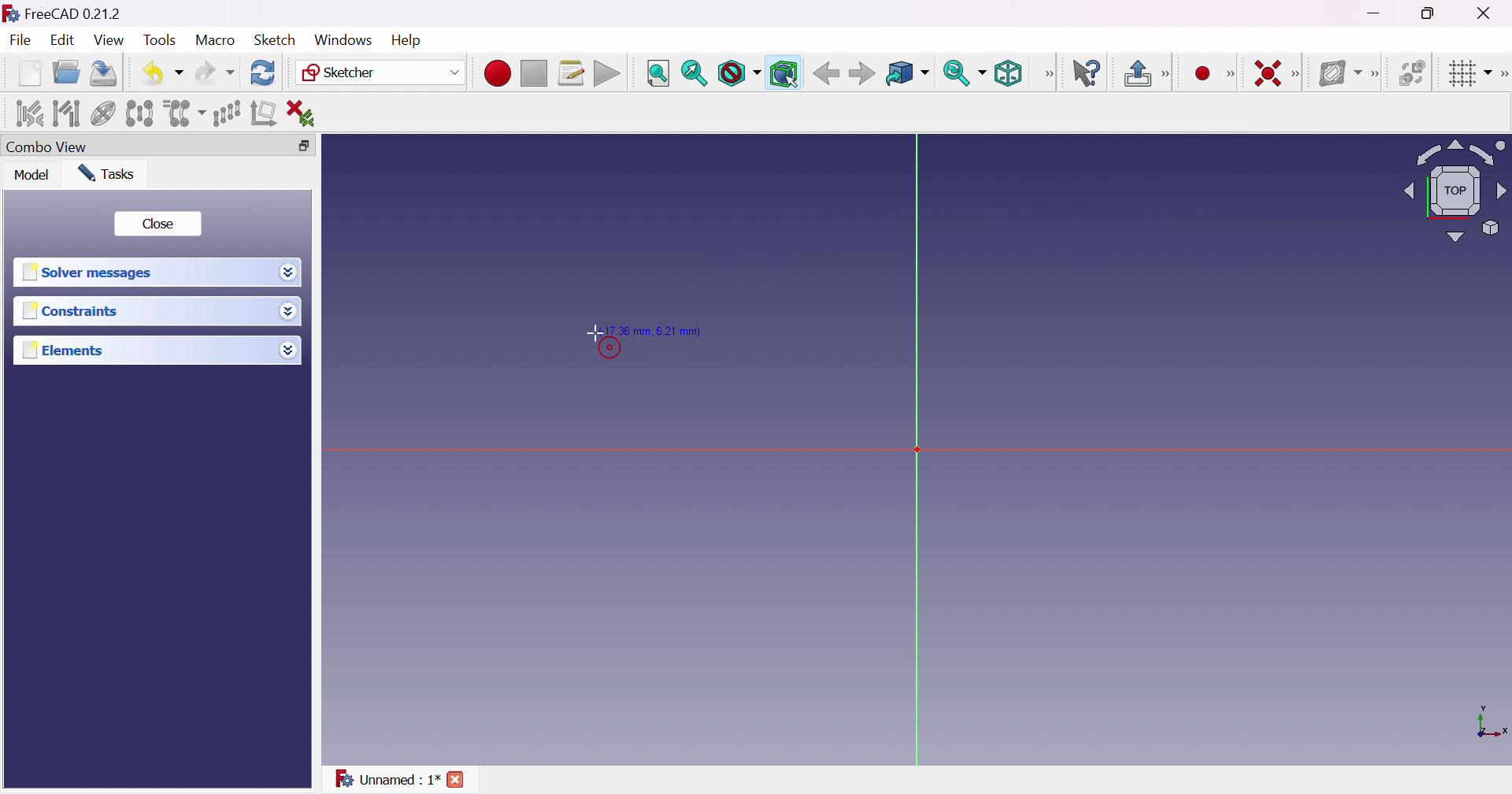 The image size is (1512, 794). Describe the element at coordinates (693, 74) in the screenshot. I see `Fit selection` at that location.